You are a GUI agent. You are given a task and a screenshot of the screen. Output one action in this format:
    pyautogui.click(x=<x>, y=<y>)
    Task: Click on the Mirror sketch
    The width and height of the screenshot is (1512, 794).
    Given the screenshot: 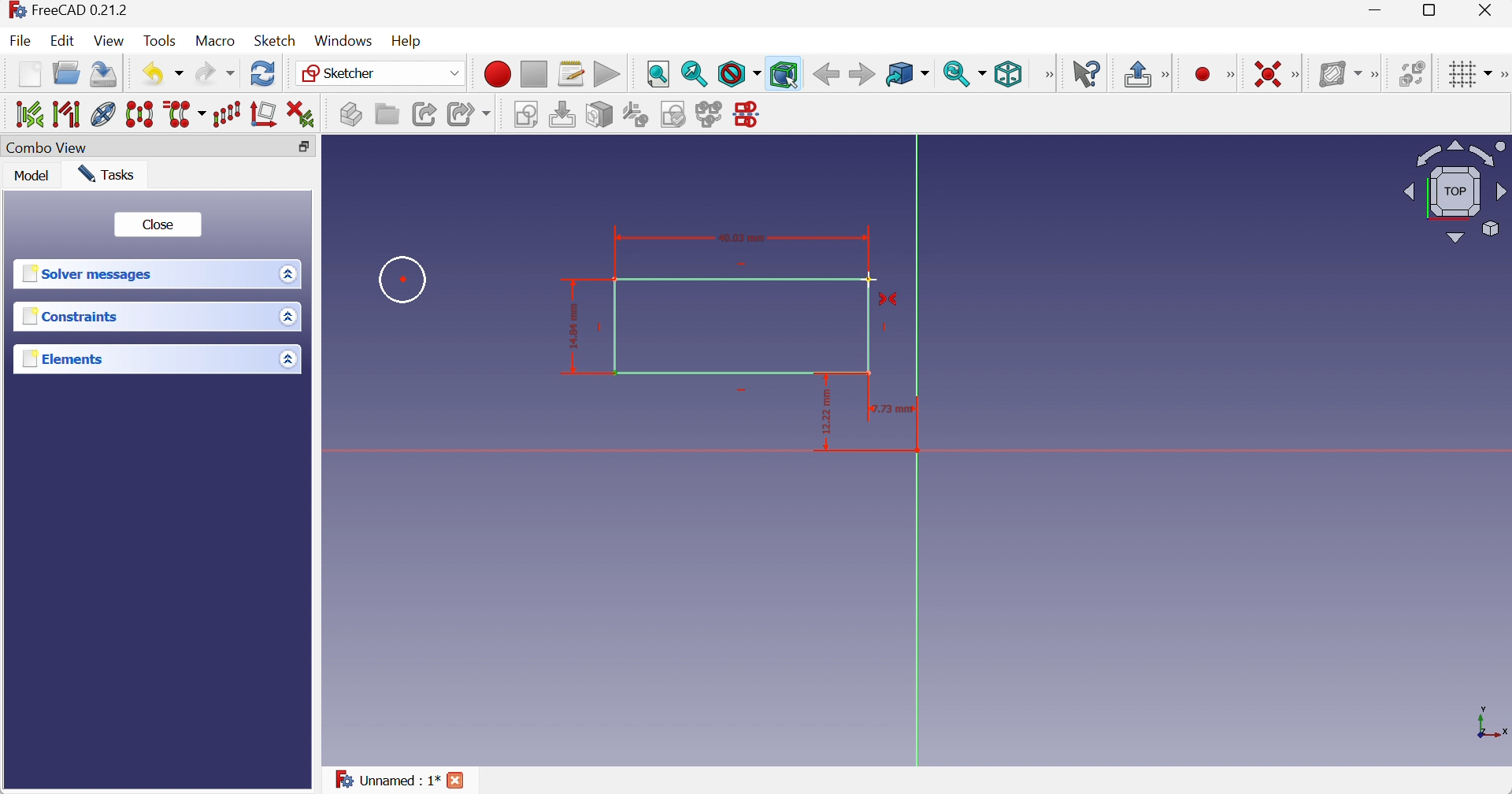 What is the action you would take?
    pyautogui.click(x=750, y=116)
    